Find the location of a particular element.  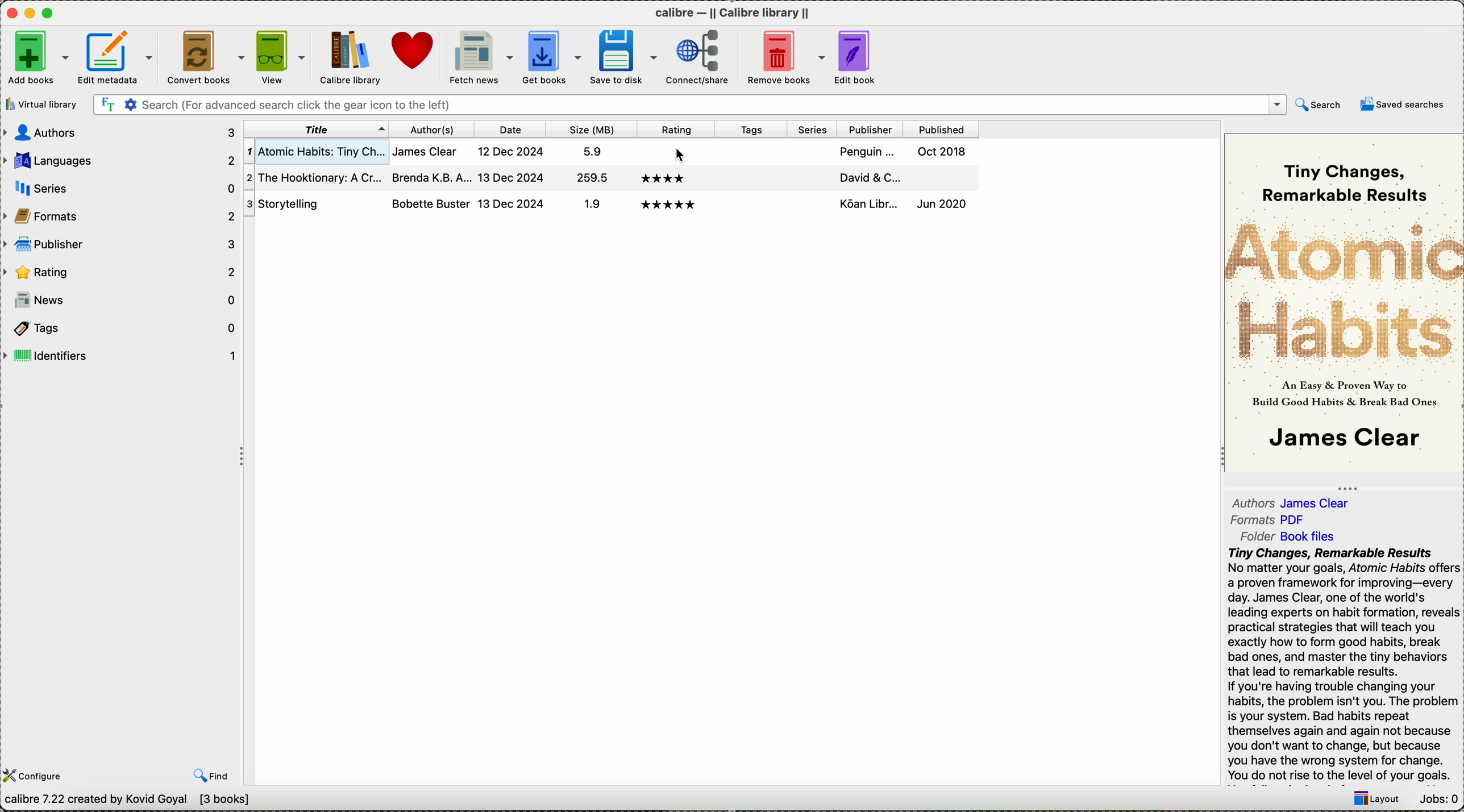

James Clear is located at coordinates (1321, 502).